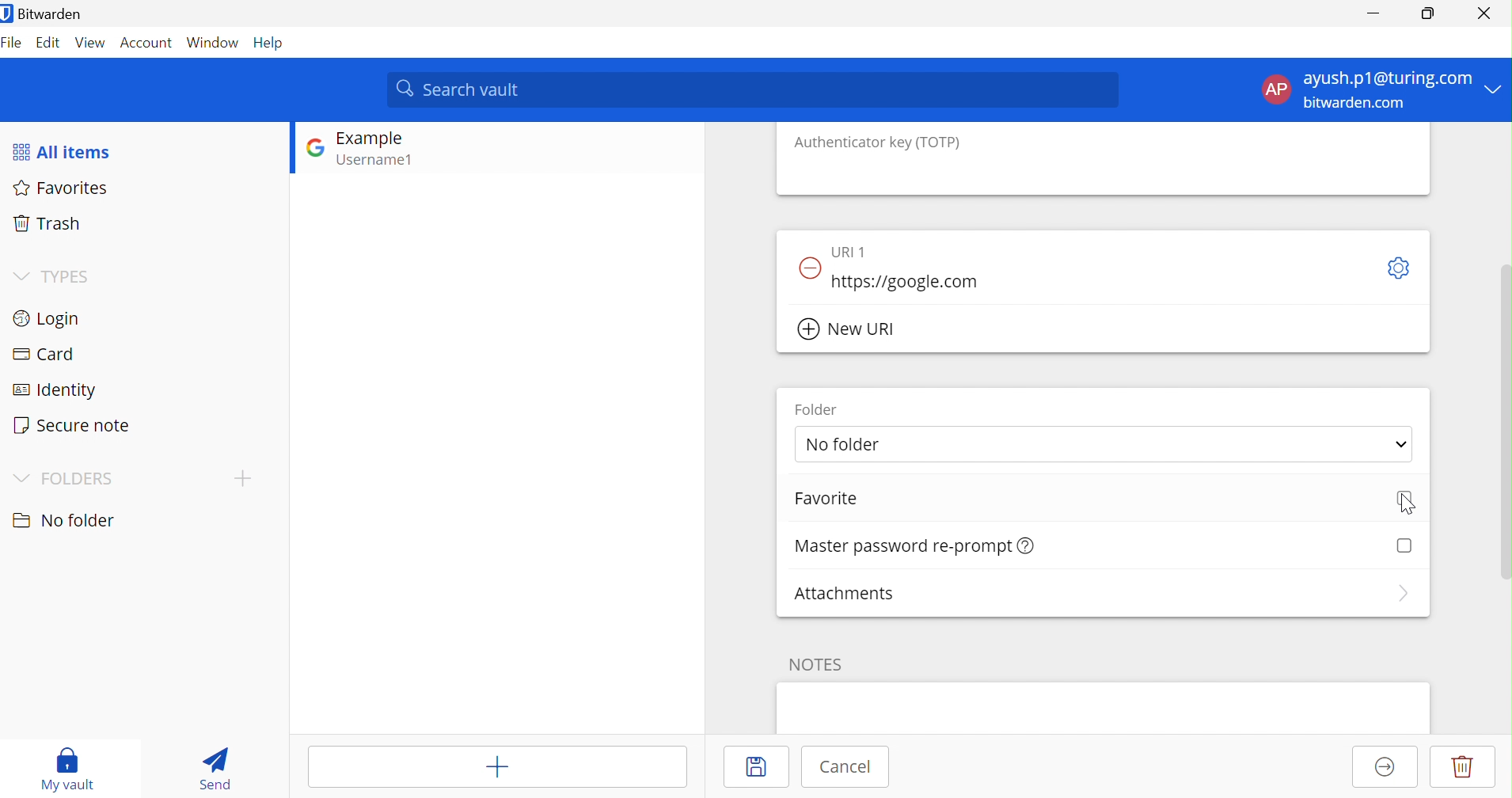 This screenshot has height=798, width=1512. Describe the element at coordinates (69, 767) in the screenshot. I see `My vault` at that location.